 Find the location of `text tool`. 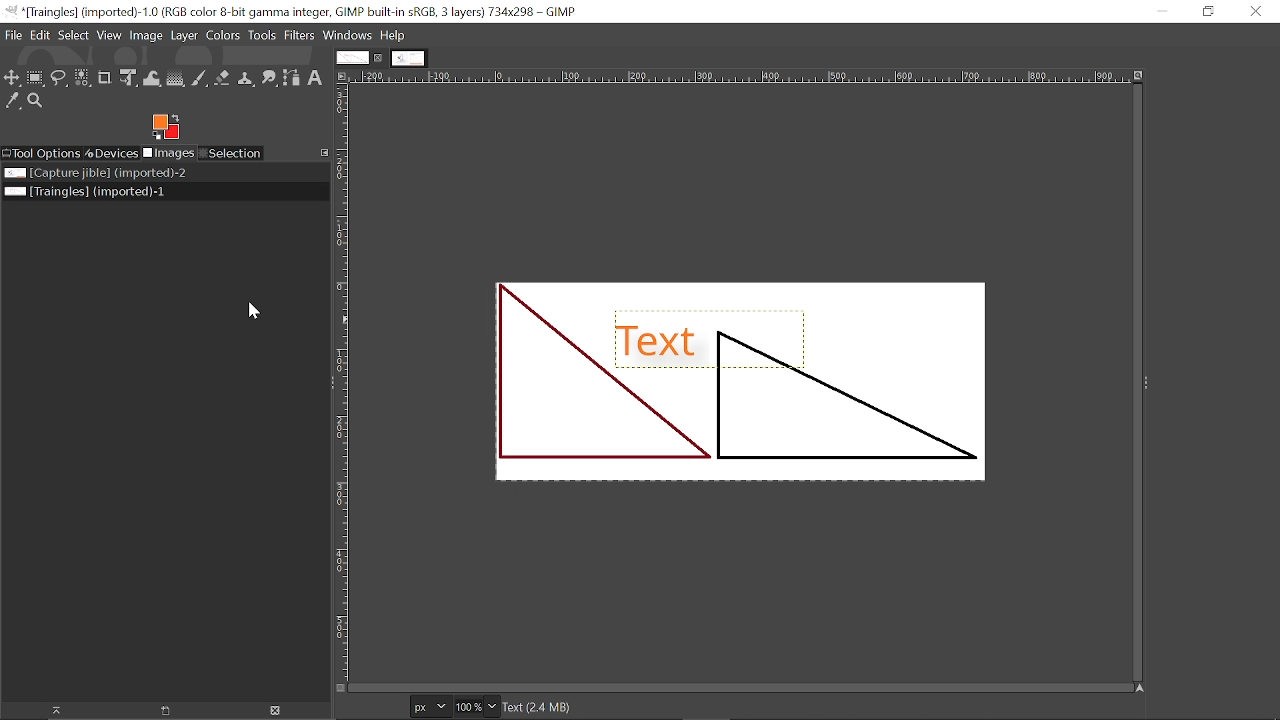

text tool is located at coordinates (316, 79).